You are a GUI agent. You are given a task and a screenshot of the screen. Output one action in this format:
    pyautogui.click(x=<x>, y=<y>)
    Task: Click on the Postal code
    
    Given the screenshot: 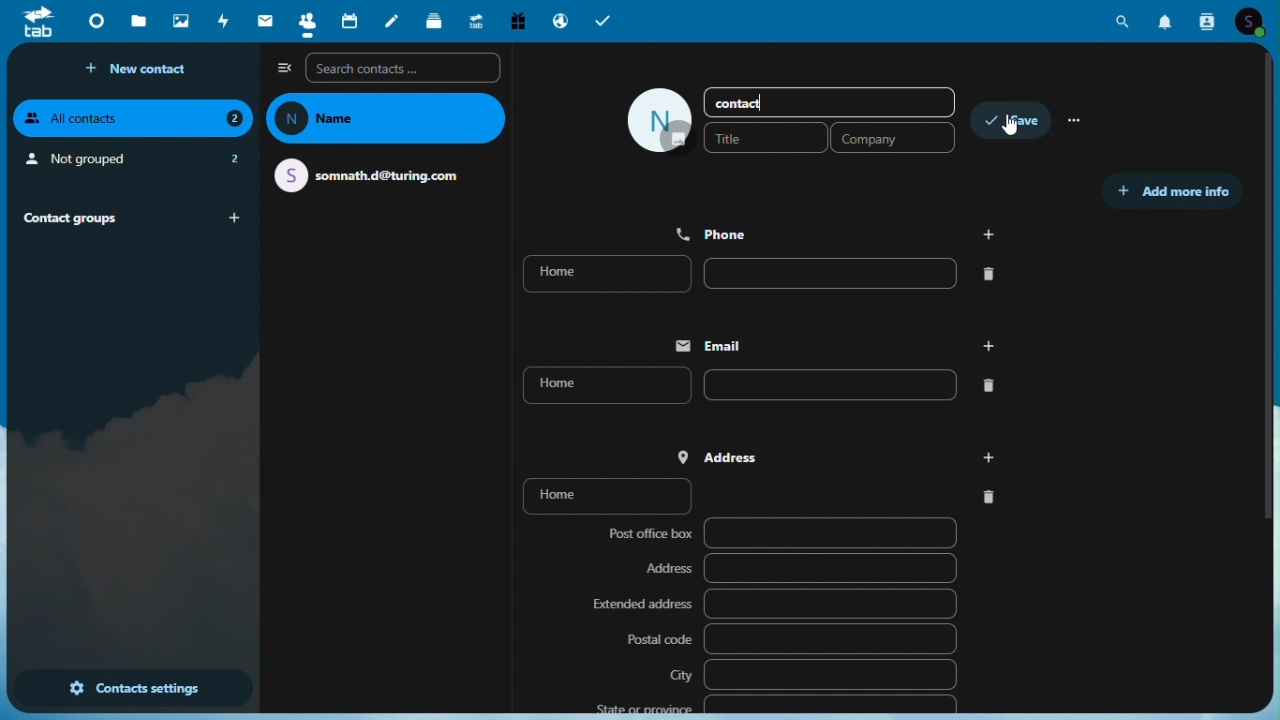 What is the action you would take?
    pyautogui.click(x=790, y=638)
    